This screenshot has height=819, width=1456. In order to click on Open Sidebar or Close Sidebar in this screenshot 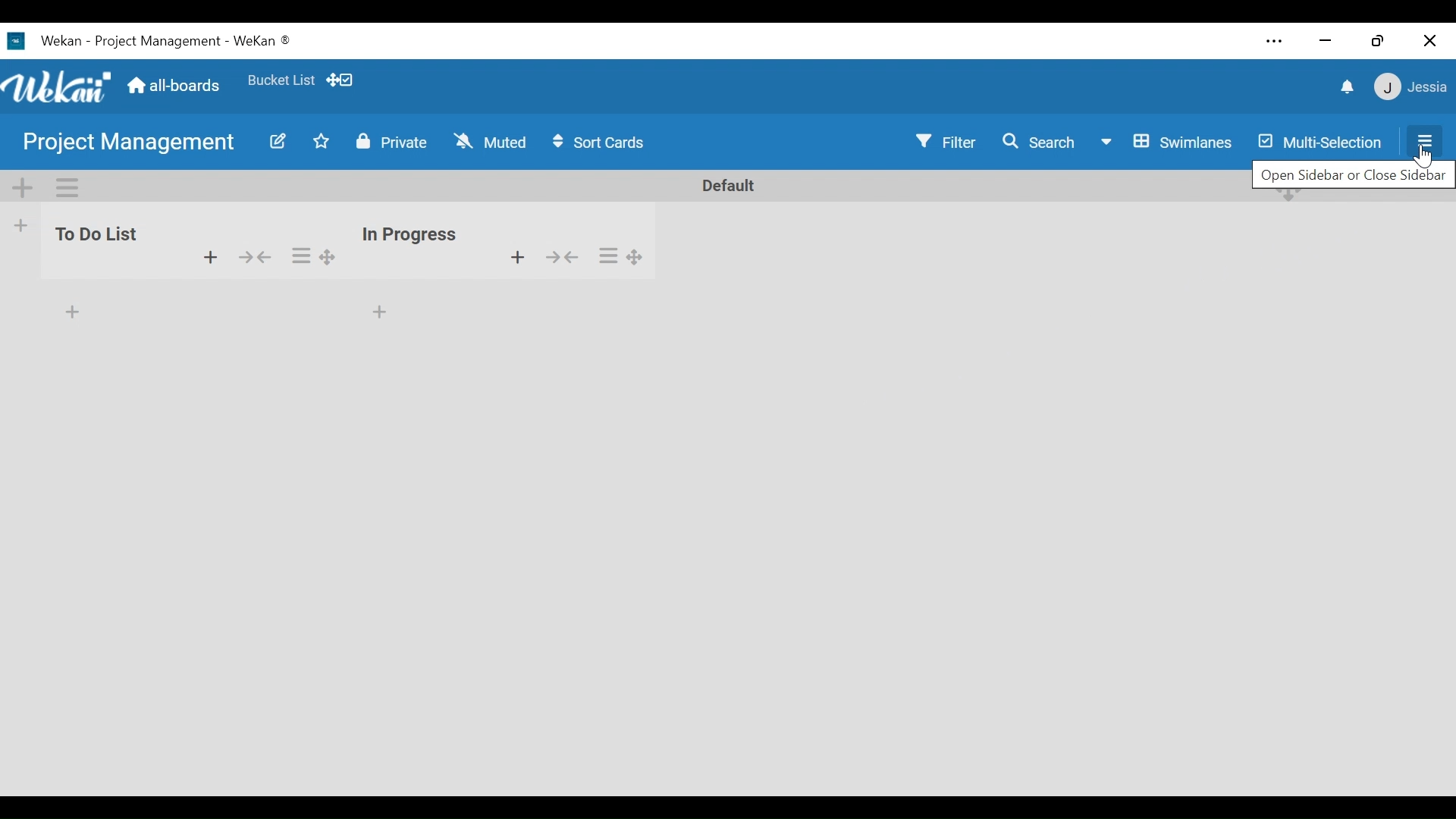, I will do `click(1351, 175)`.